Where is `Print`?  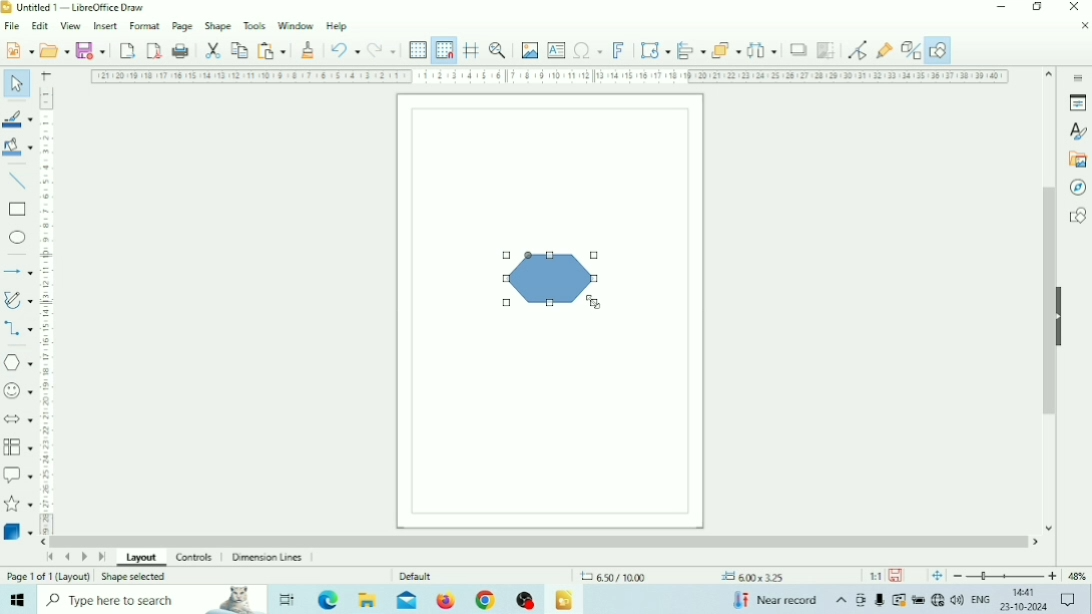
Print is located at coordinates (181, 51).